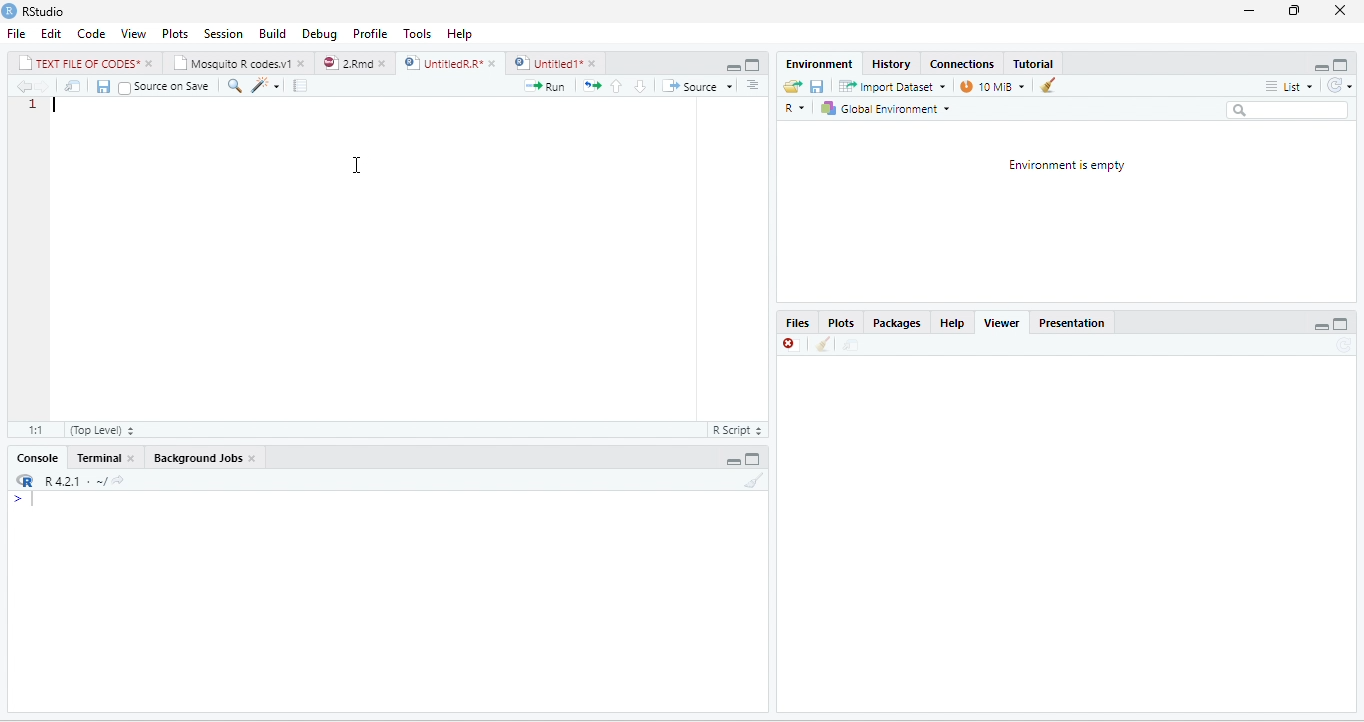  I want to click on maximize, so click(1343, 323).